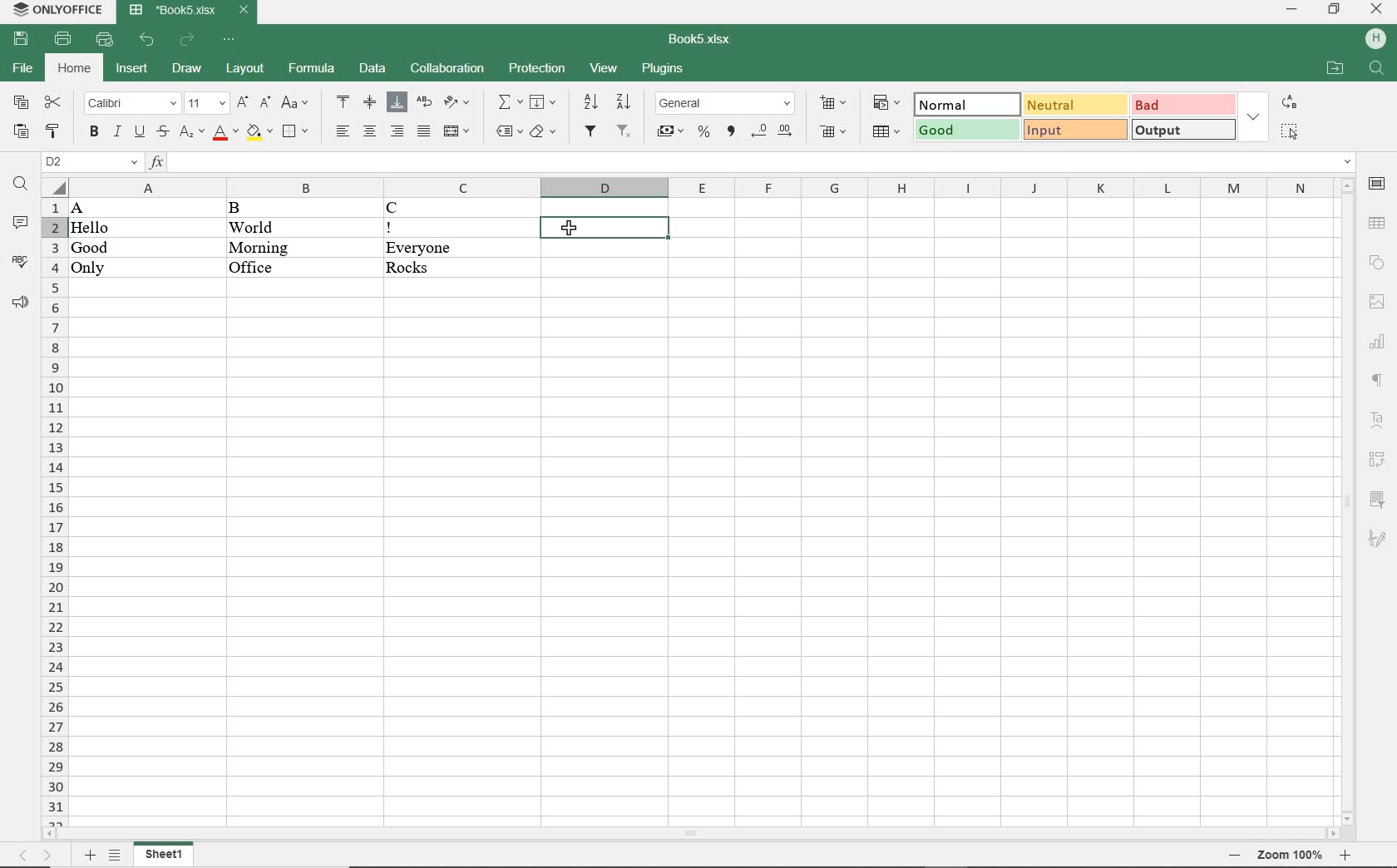 The height and width of the screenshot is (868, 1397). I want to click on CHANGE CASE, so click(295, 104).